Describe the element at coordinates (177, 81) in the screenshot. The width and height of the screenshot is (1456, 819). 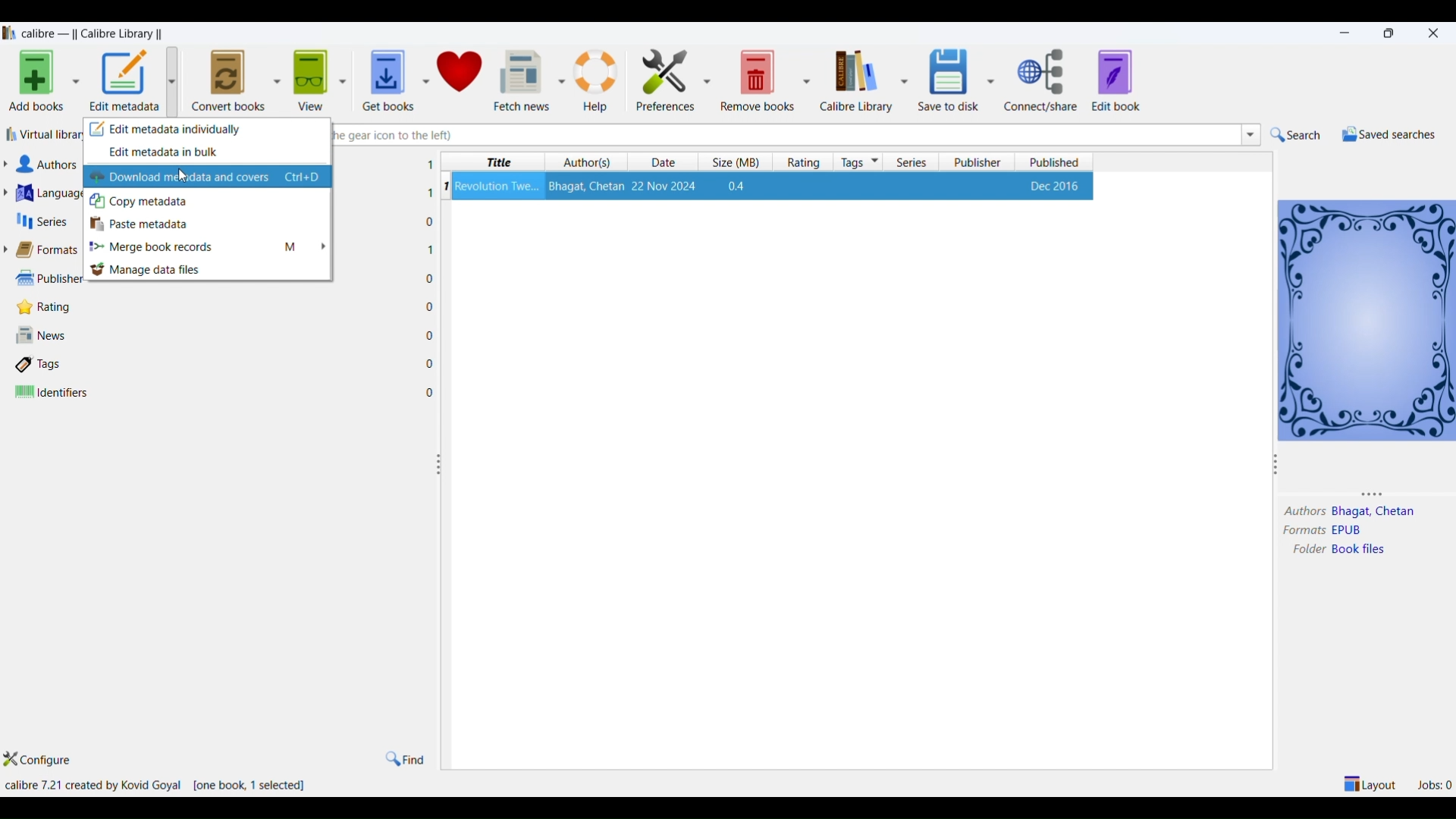
I see `edit metadata options dropdown button` at that location.